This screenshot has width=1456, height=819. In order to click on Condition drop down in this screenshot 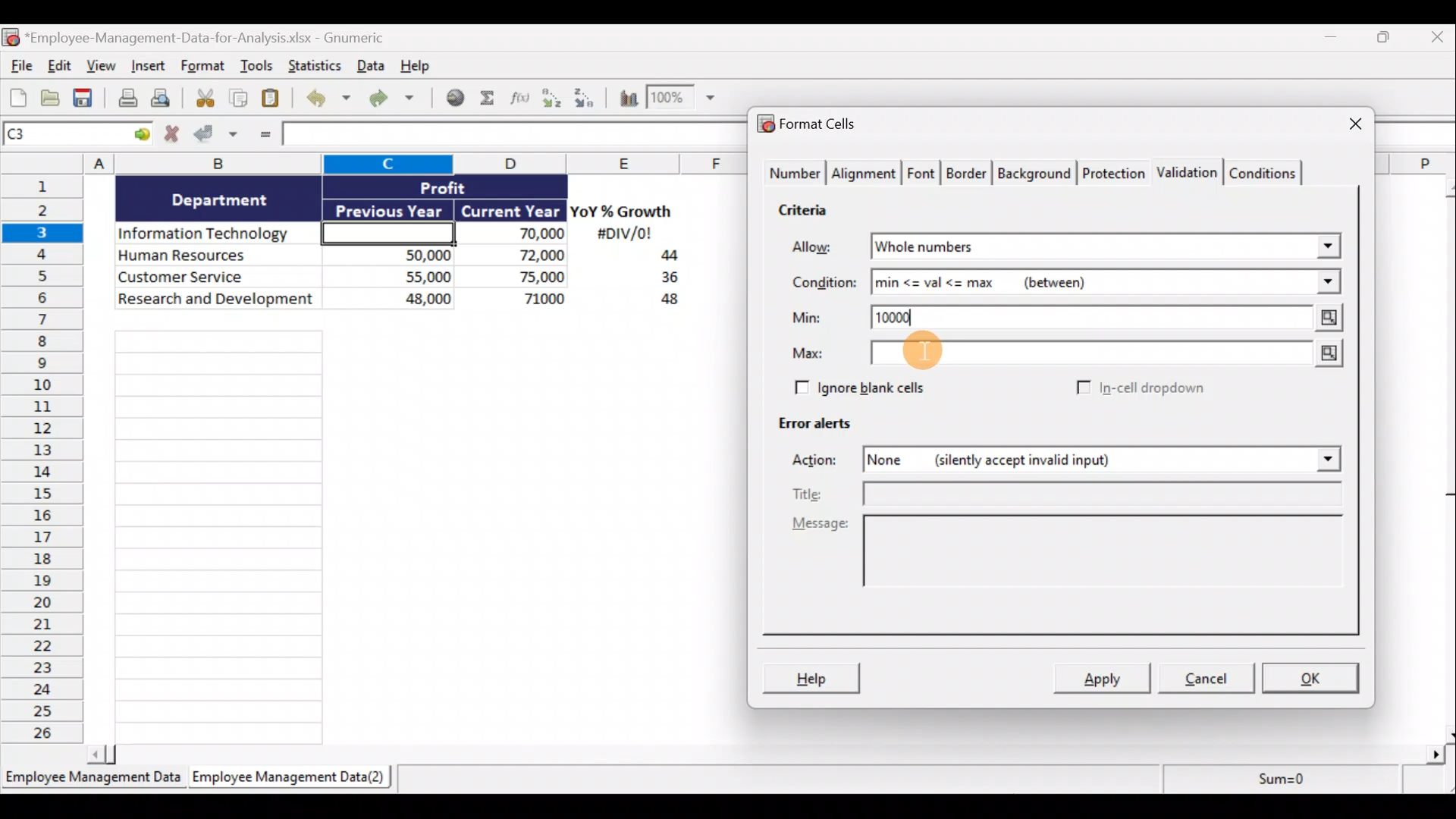, I will do `click(1329, 283)`.